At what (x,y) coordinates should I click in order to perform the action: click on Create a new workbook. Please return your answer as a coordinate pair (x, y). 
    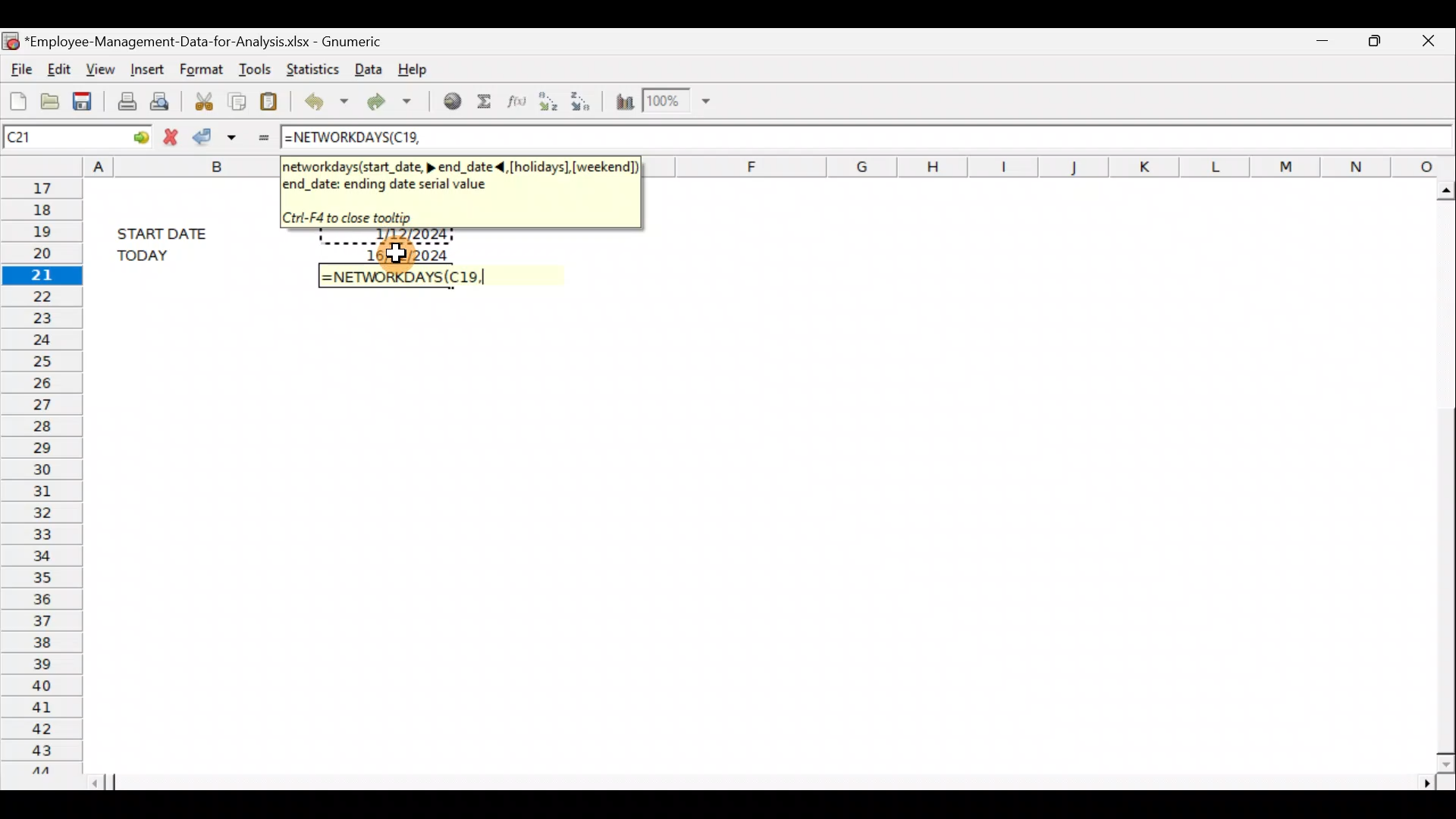
    Looking at the image, I should click on (15, 97).